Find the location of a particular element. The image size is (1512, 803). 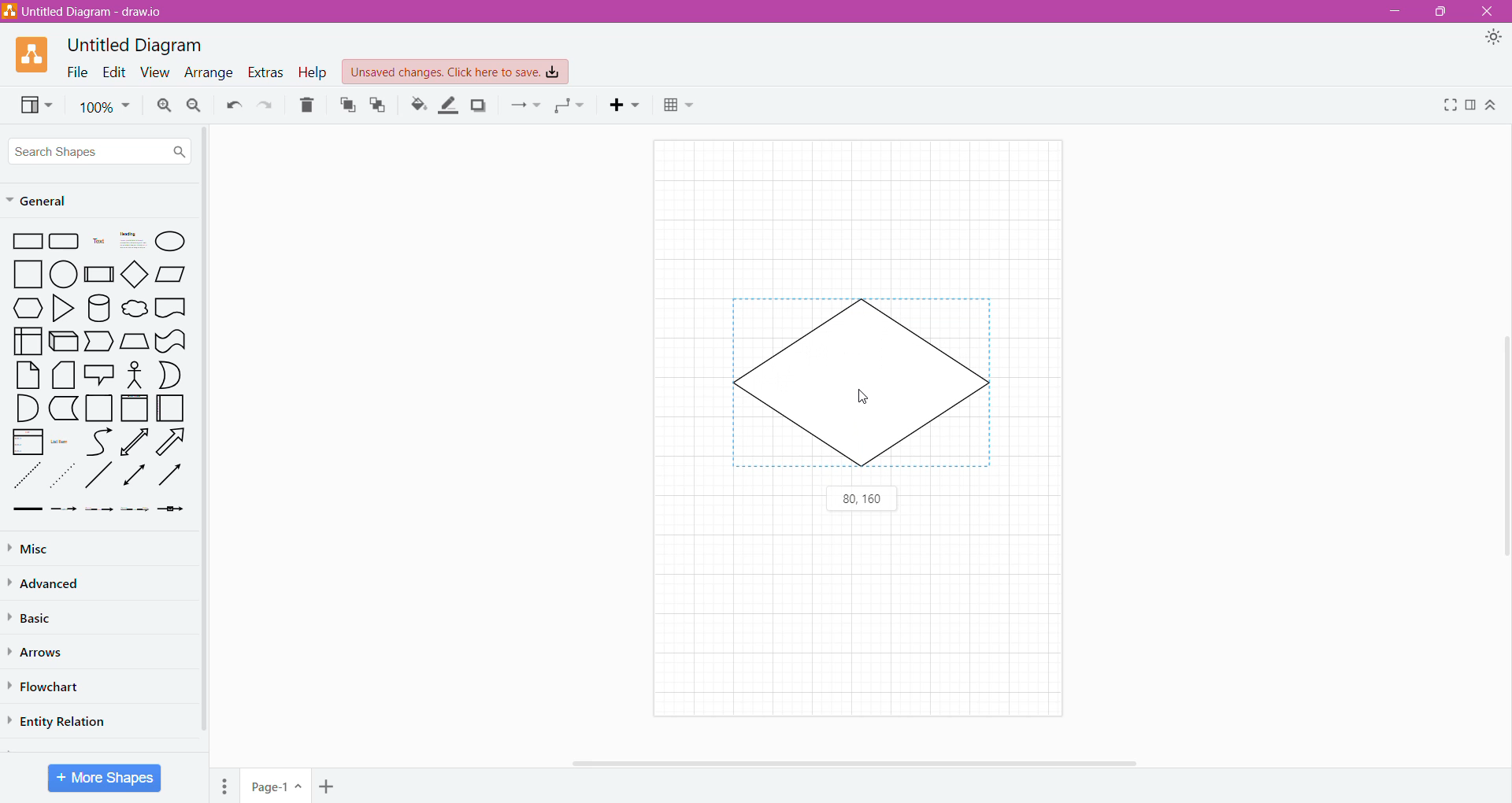

Arrange is located at coordinates (207, 74).